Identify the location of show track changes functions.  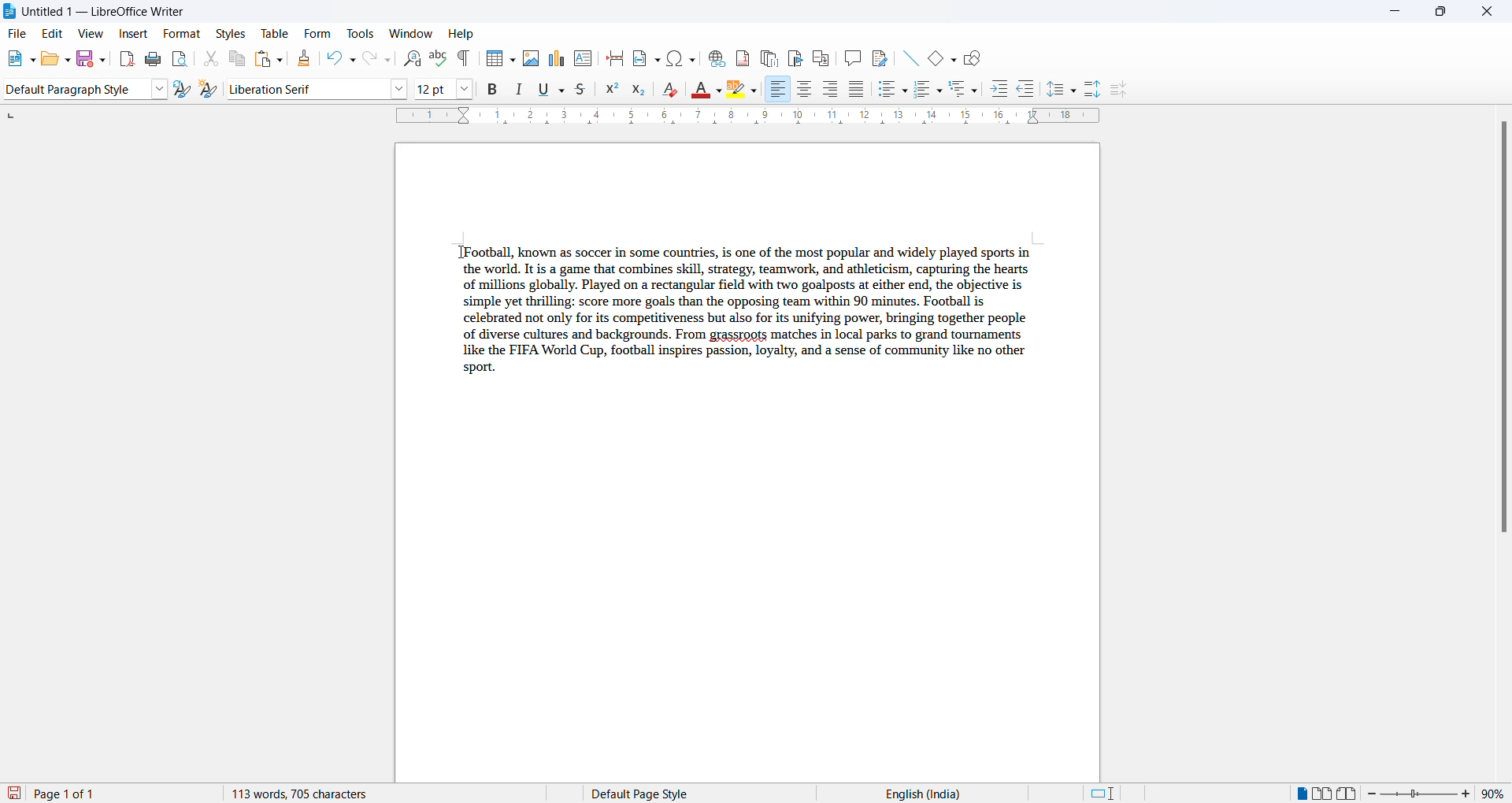
(880, 58).